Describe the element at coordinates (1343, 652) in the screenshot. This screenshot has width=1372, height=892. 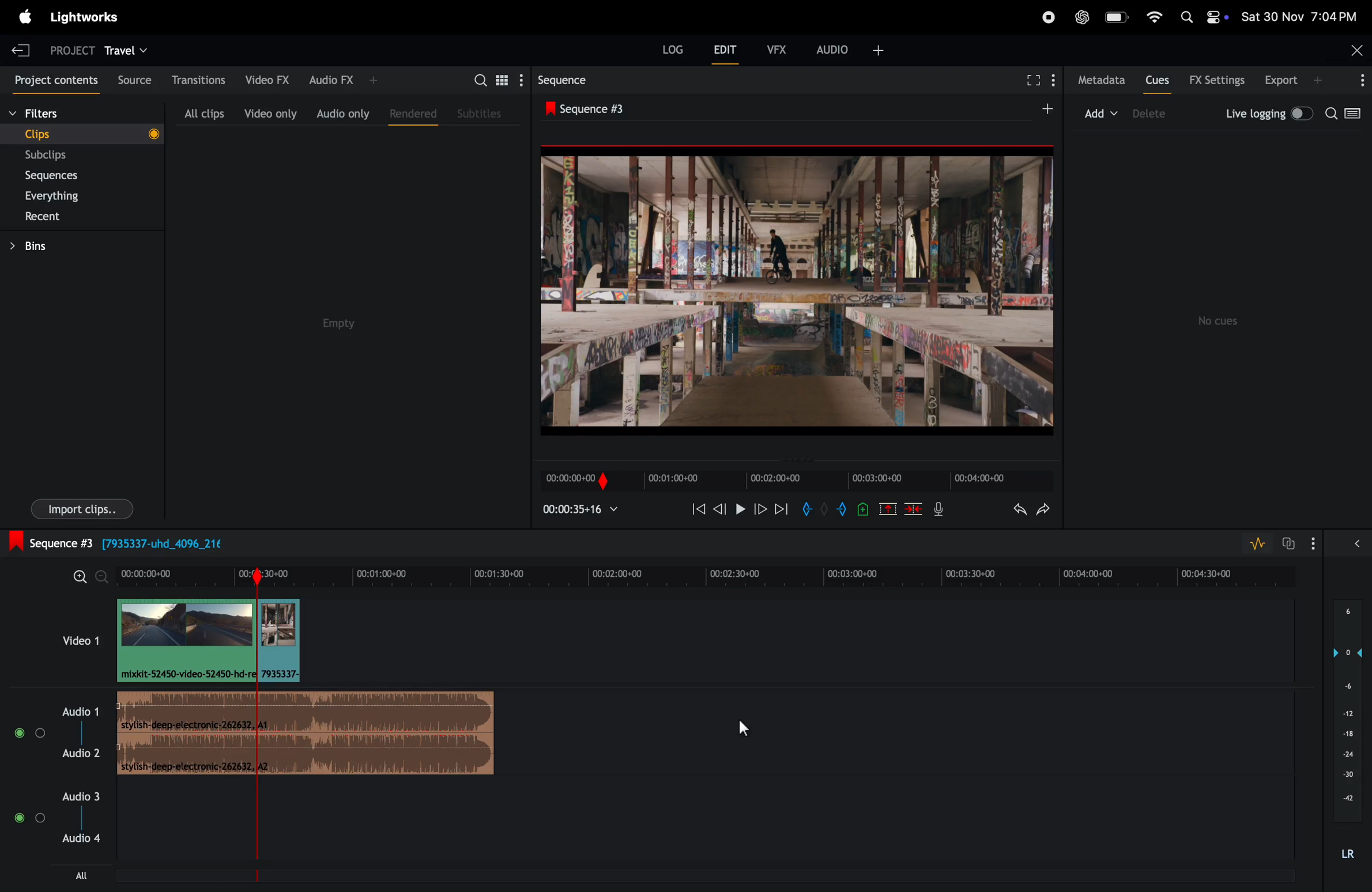
I see `0 (layers)` at that location.